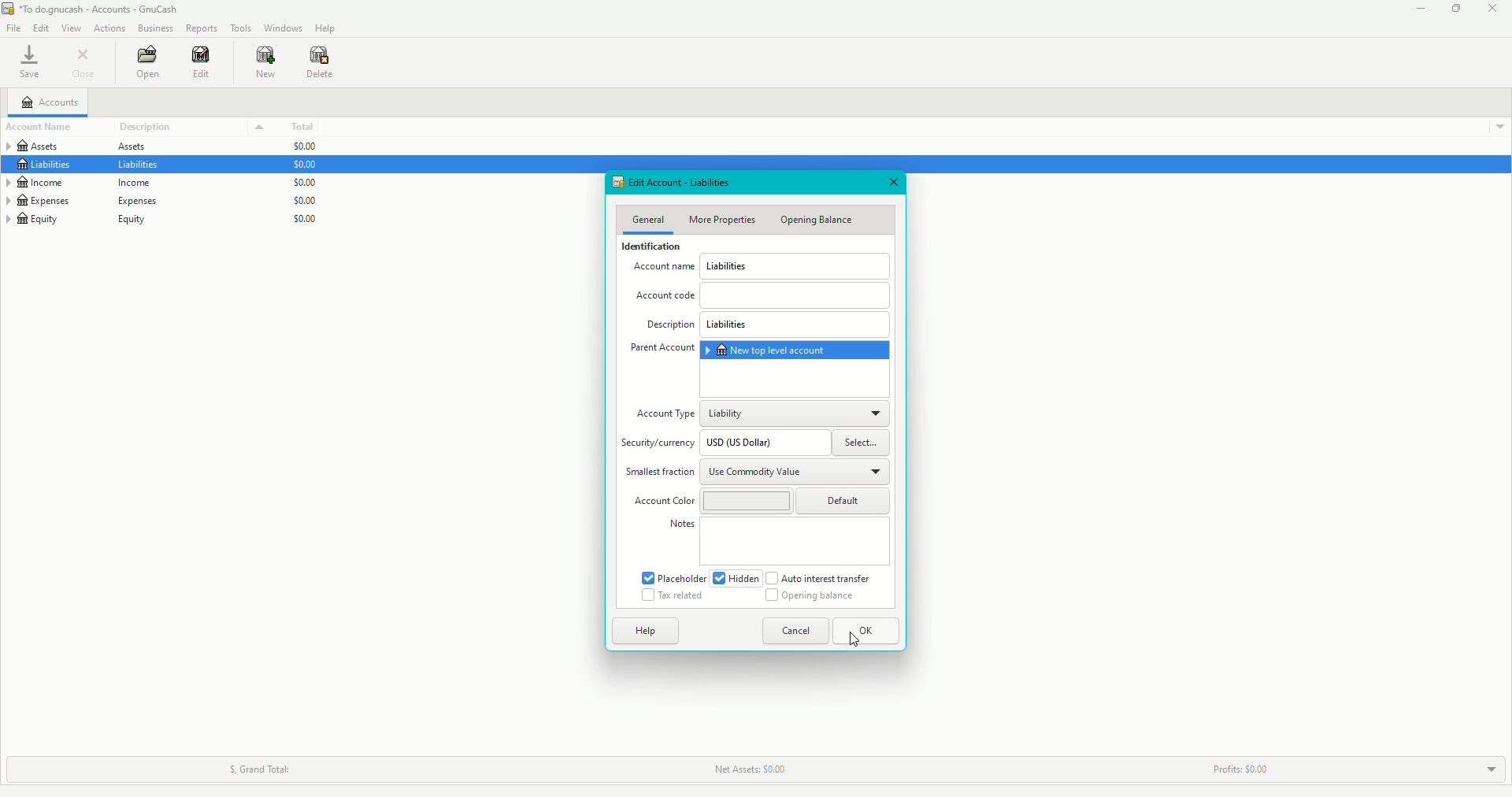  What do you see at coordinates (13, 28) in the screenshot?
I see `File` at bounding box center [13, 28].